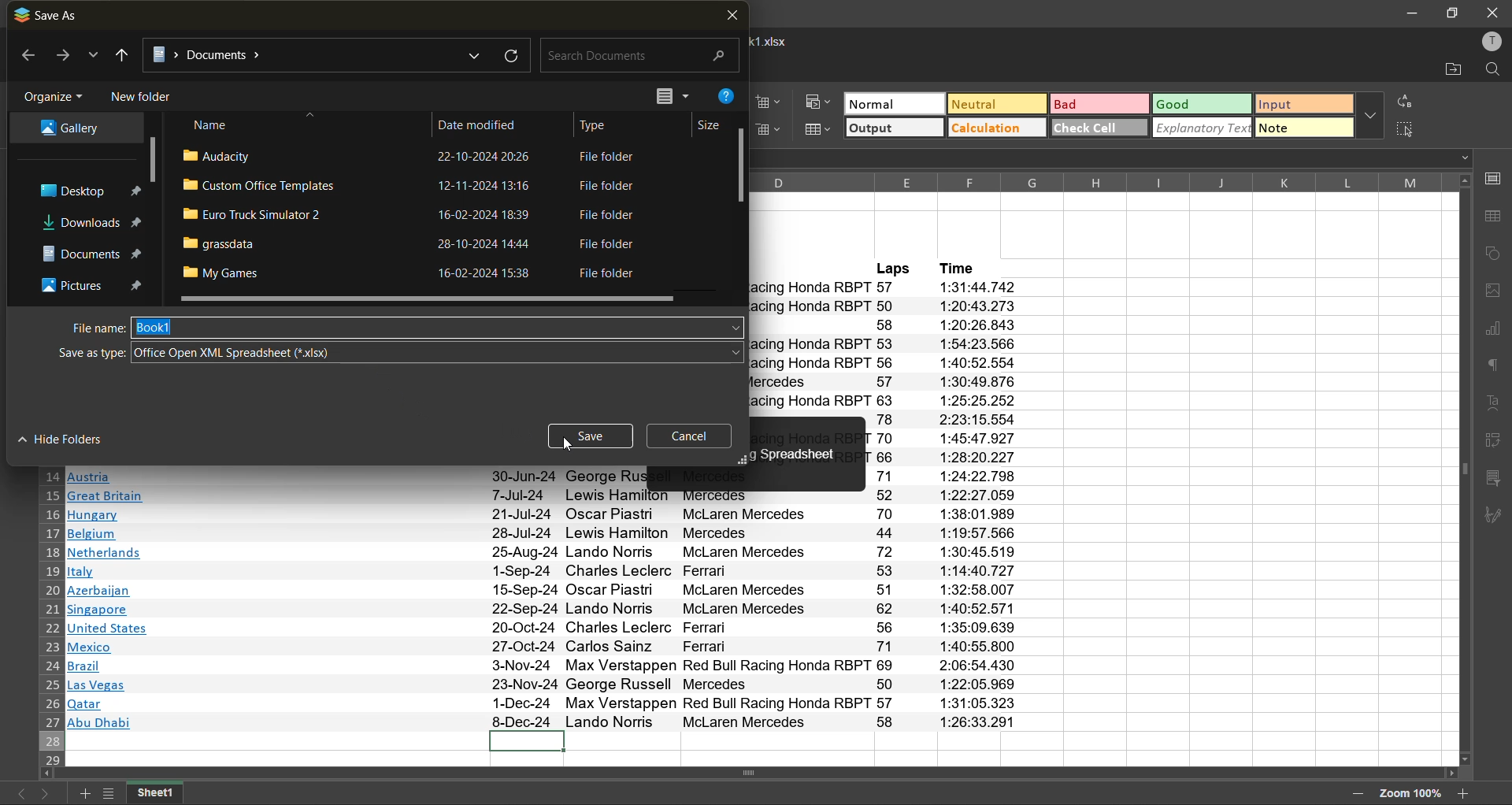  What do you see at coordinates (46, 794) in the screenshot?
I see `next` at bounding box center [46, 794].